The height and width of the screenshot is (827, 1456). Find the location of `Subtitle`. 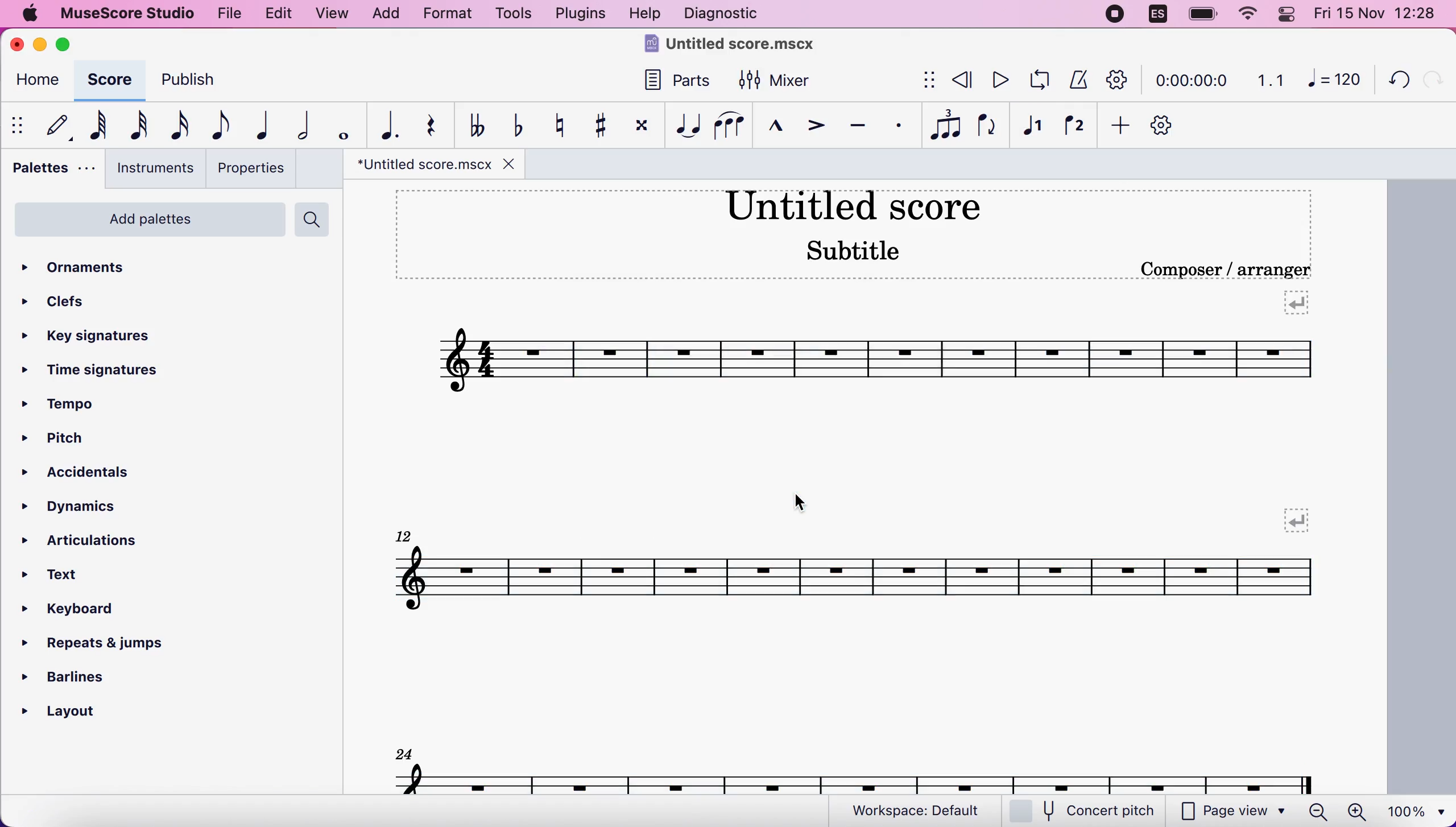

Subtitle is located at coordinates (856, 249).